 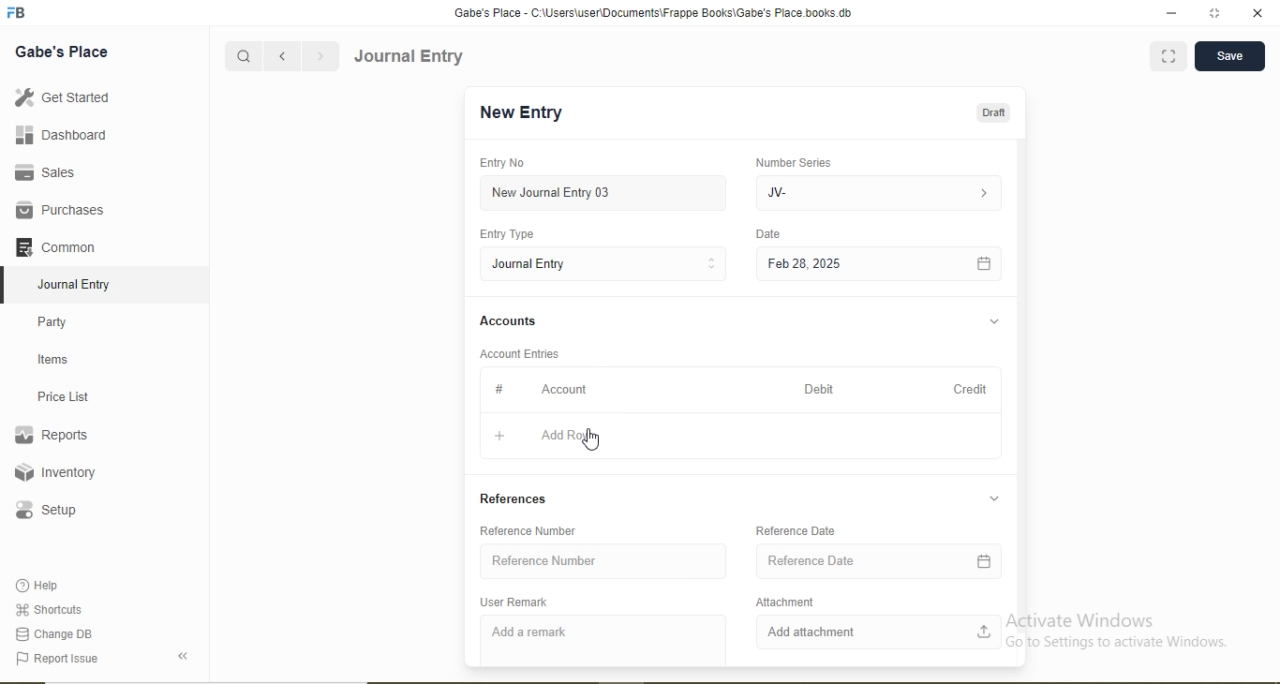 What do you see at coordinates (518, 354) in the screenshot?
I see `Account Entries` at bounding box center [518, 354].